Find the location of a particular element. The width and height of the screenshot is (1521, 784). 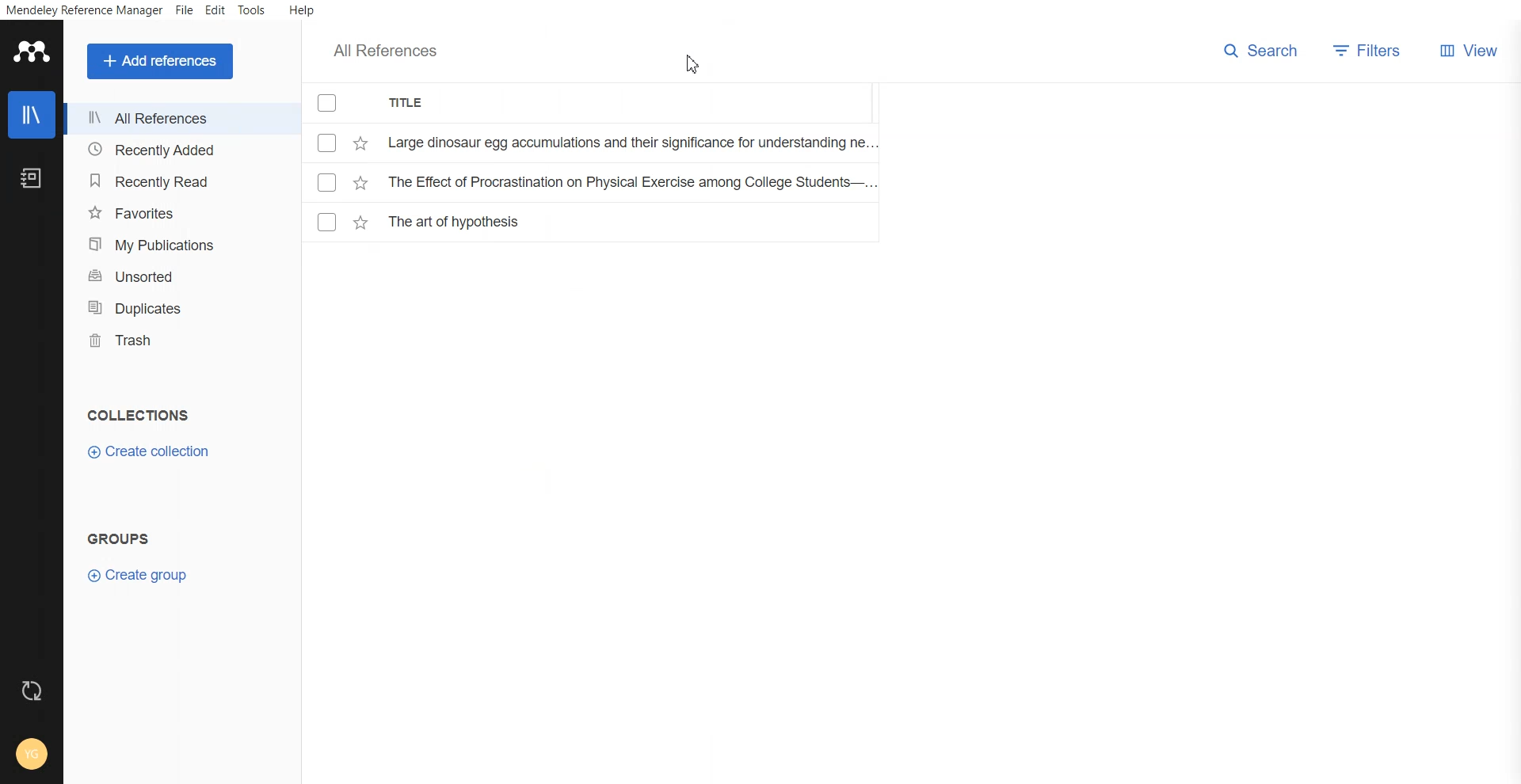

Create group is located at coordinates (140, 575).